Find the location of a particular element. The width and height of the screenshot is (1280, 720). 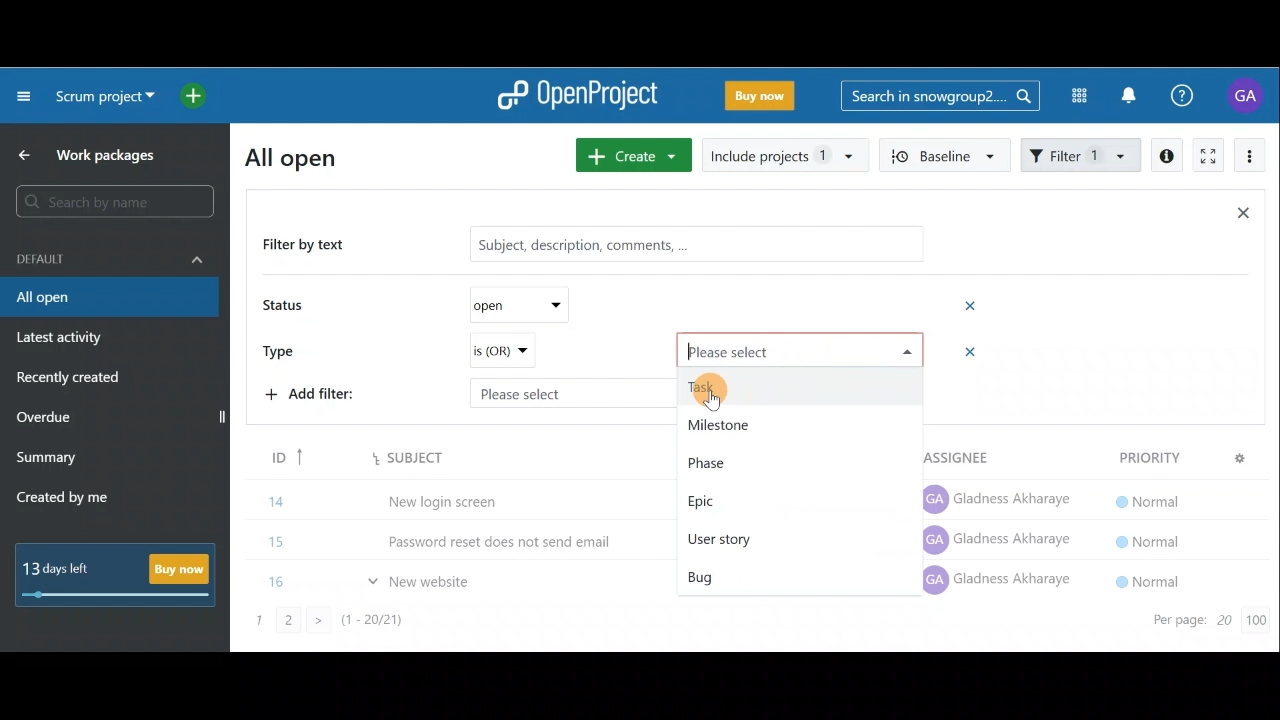

Priority is located at coordinates (1177, 455).